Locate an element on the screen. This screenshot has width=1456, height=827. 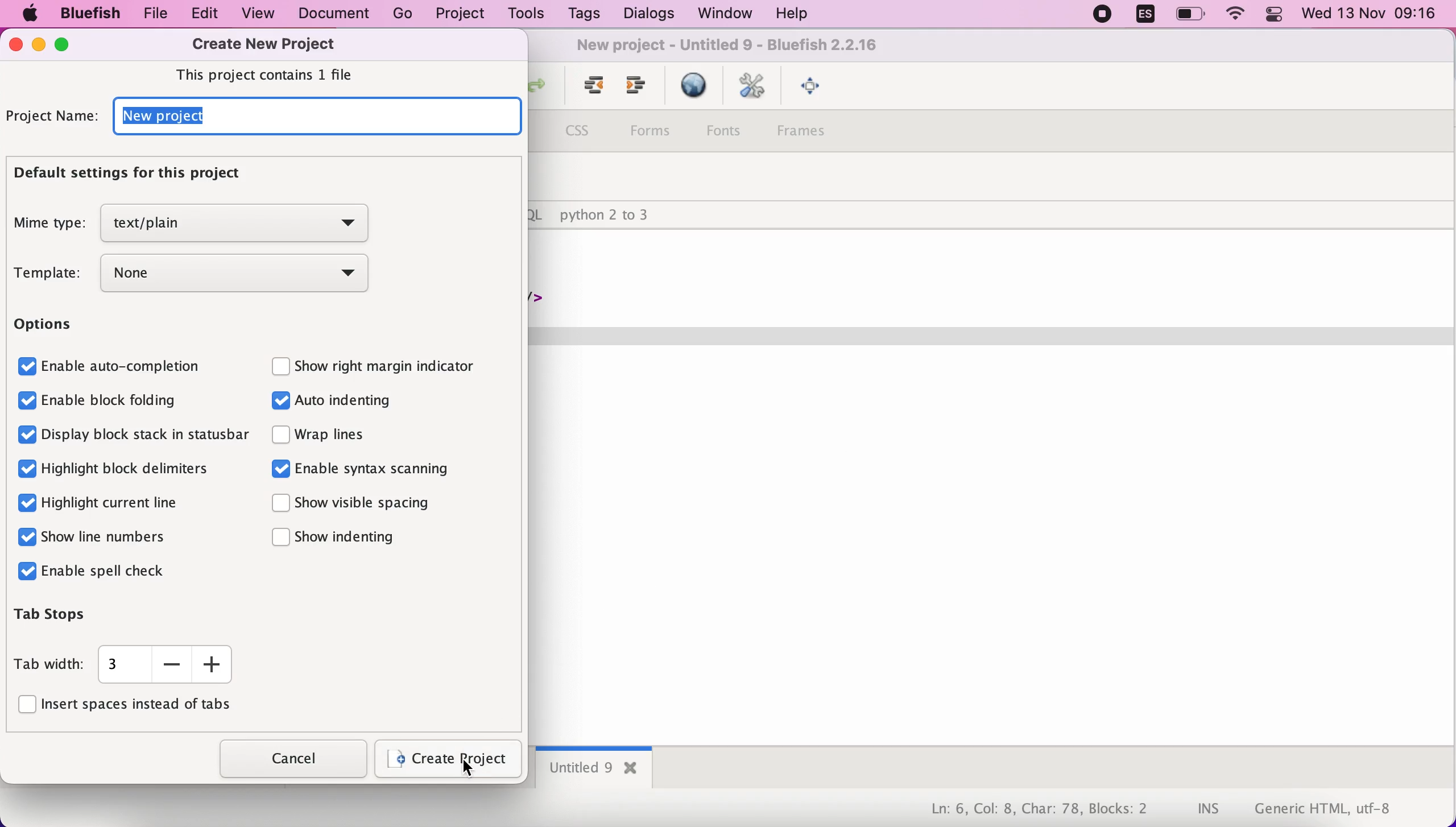
recording stopped is located at coordinates (1099, 15).